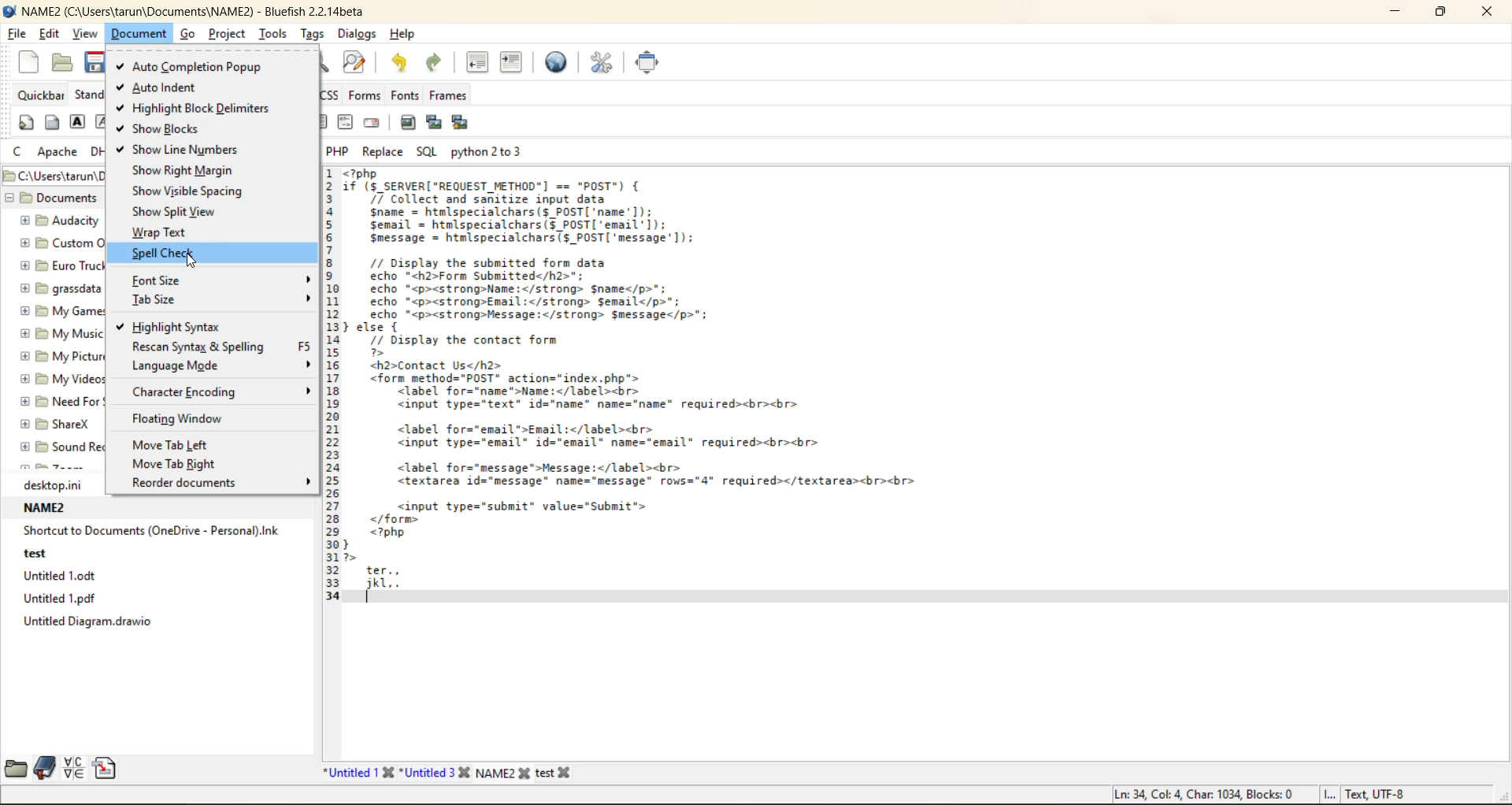 The width and height of the screenshot is (1512, 805). I want to click on quickstart, so click(26, 121).